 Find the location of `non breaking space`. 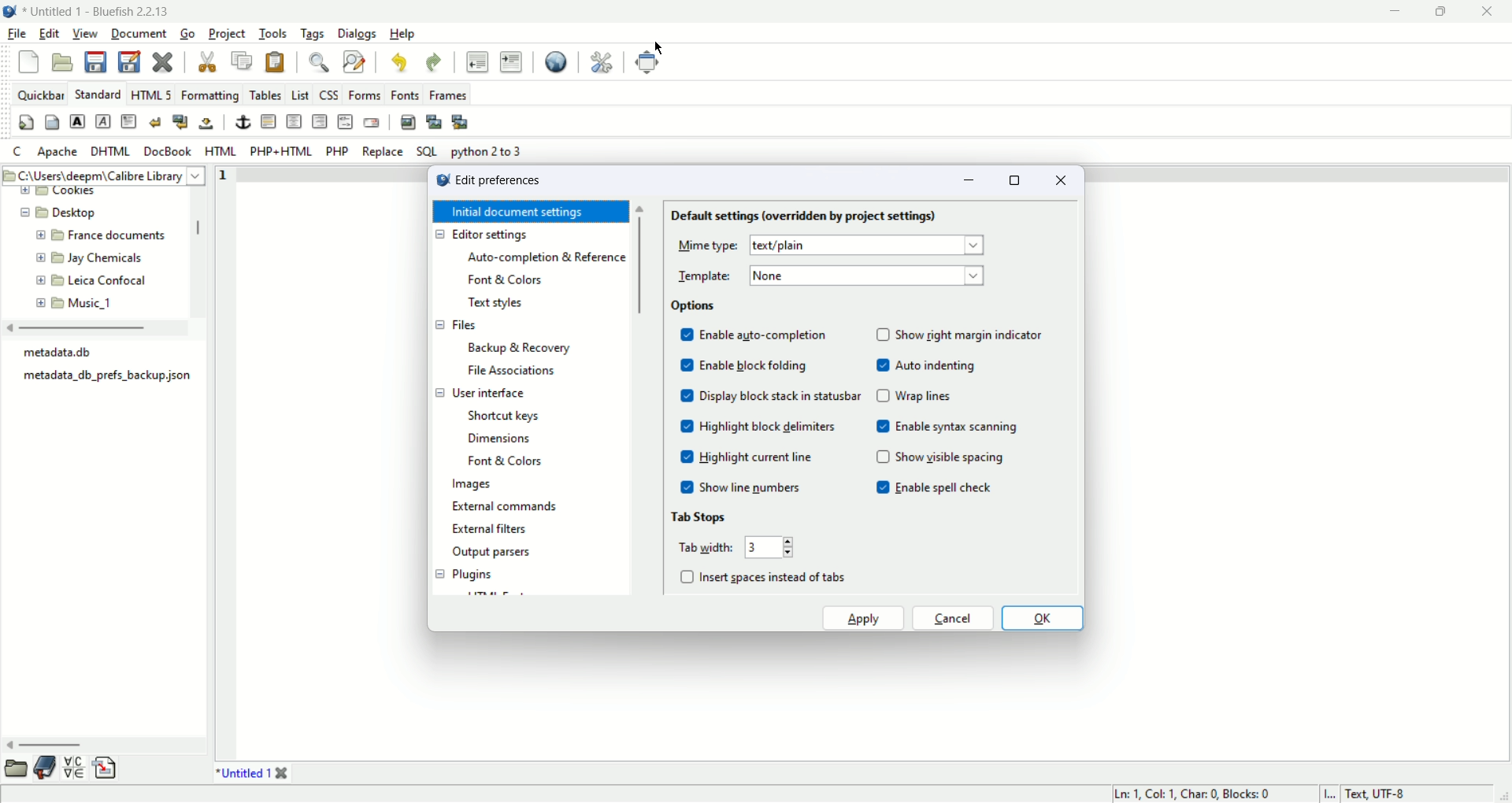

non breaking space is located at coordinates (206, 122).